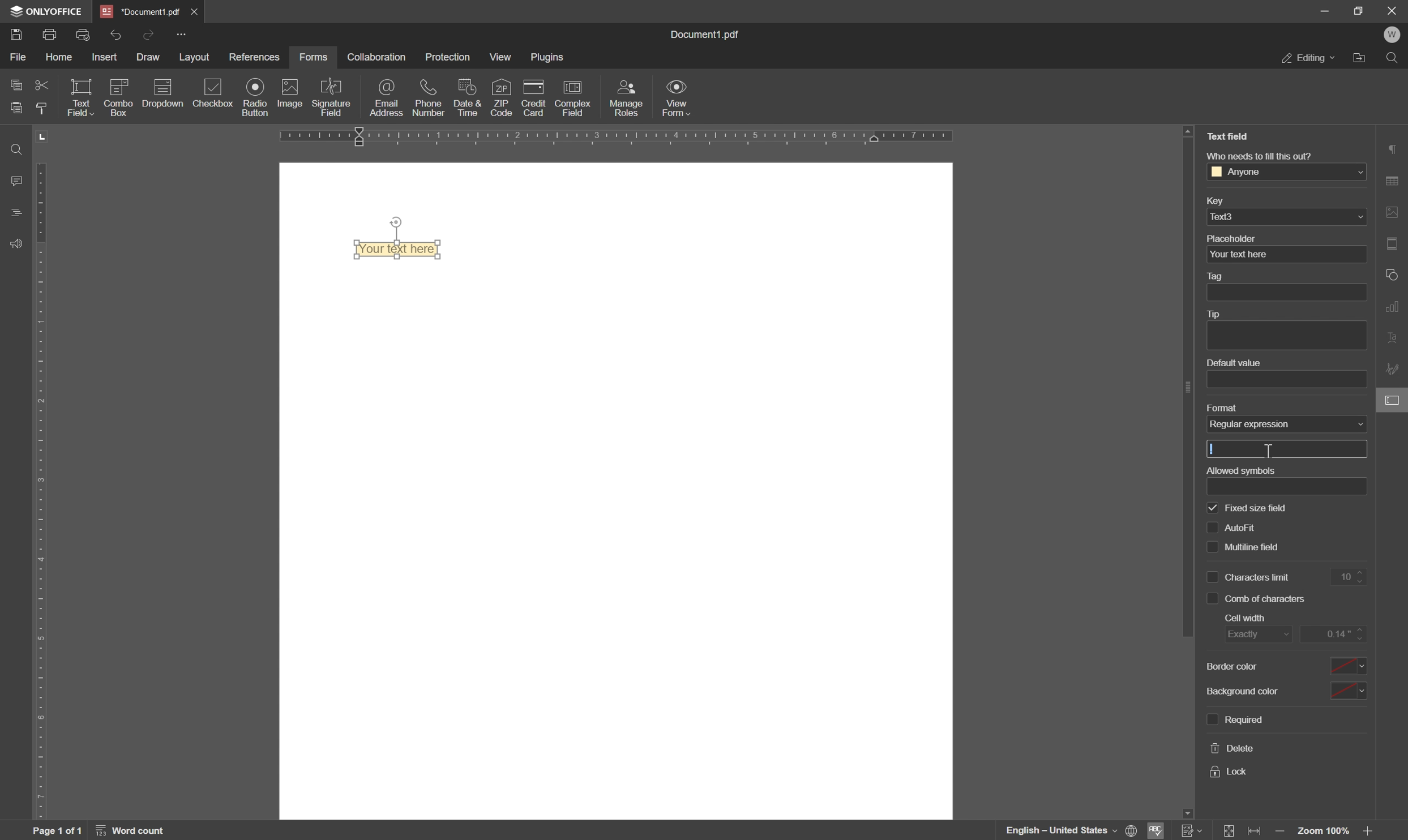 The image size is (1408, 840). I want to click on tag, so click(1218, 277).